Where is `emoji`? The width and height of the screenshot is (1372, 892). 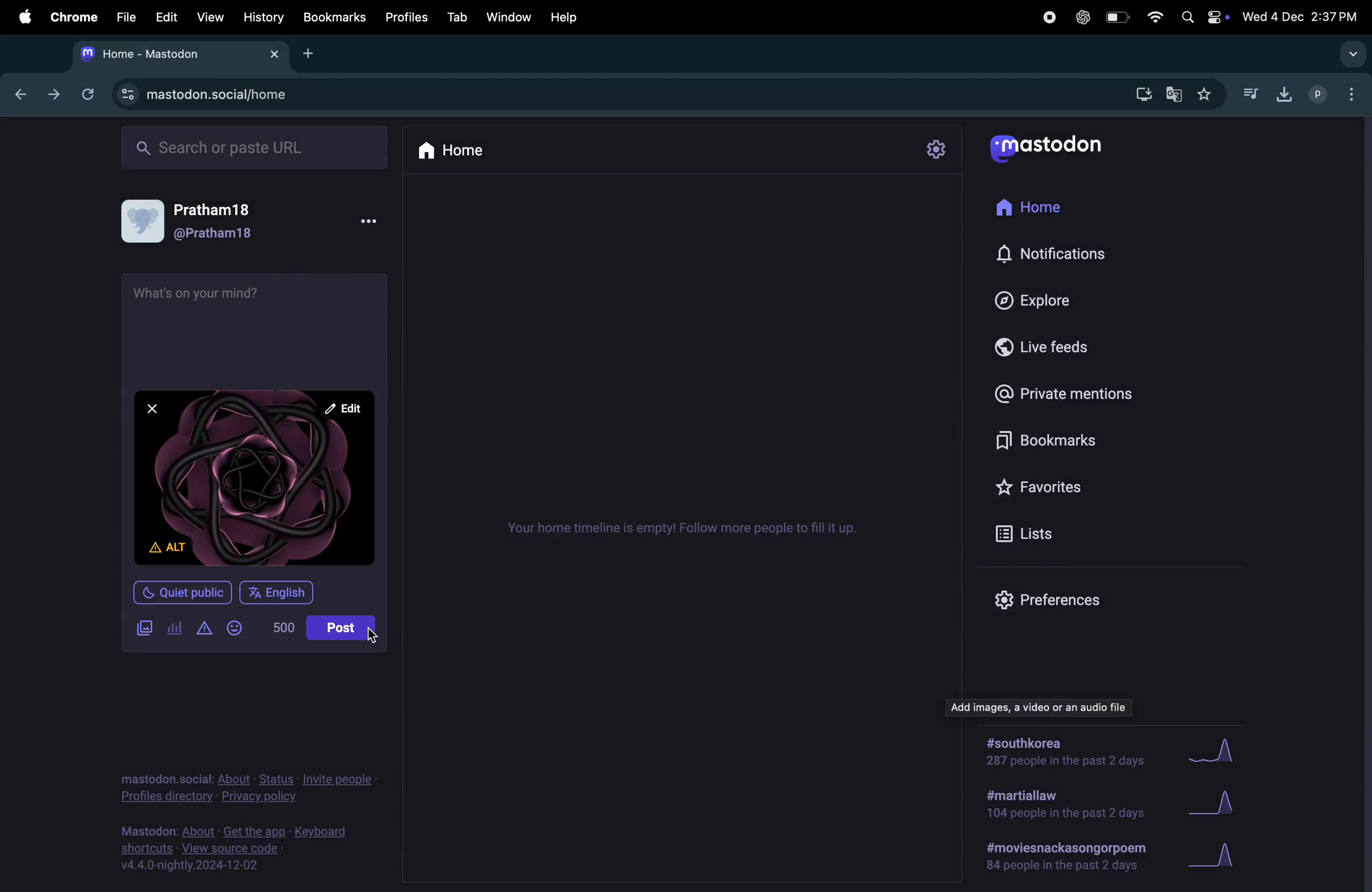 emoji is located at coordinates (236, 630).